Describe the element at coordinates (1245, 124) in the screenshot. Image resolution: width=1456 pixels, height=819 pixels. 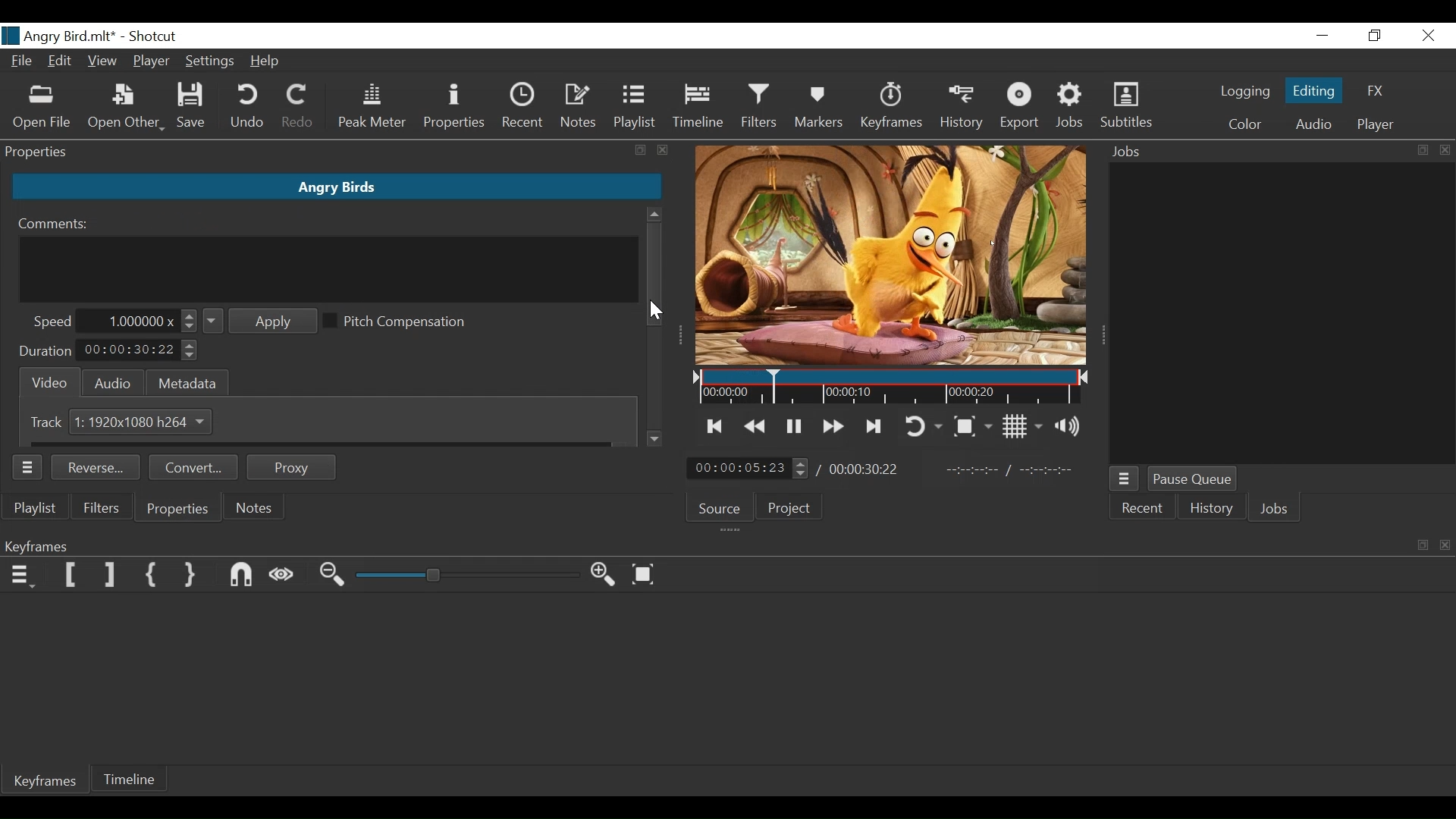
I see `Color` at that location.